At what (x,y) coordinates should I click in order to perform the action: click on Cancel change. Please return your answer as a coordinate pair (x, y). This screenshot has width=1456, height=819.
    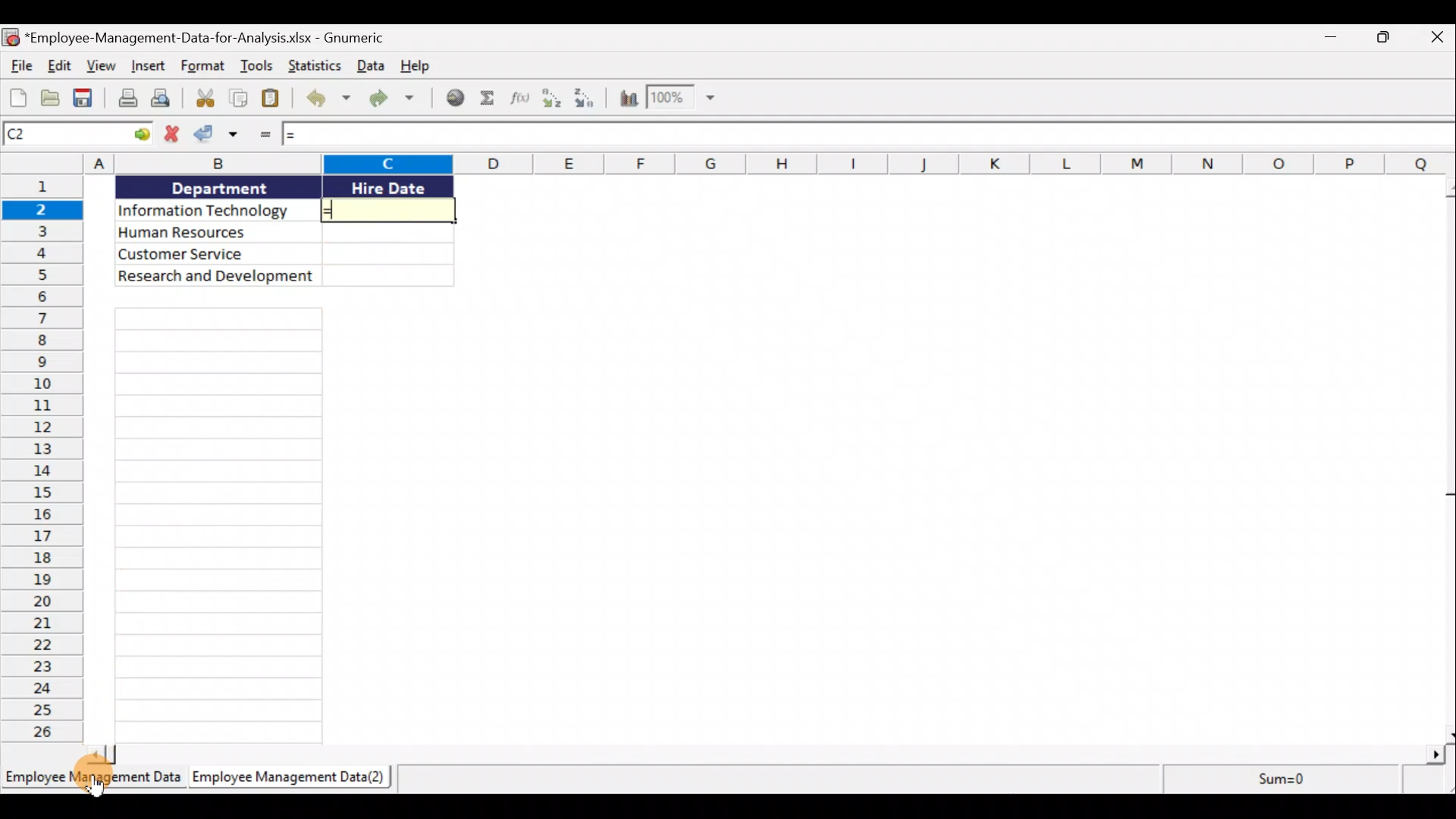
    Looking at the image, I should click on (171, 136).